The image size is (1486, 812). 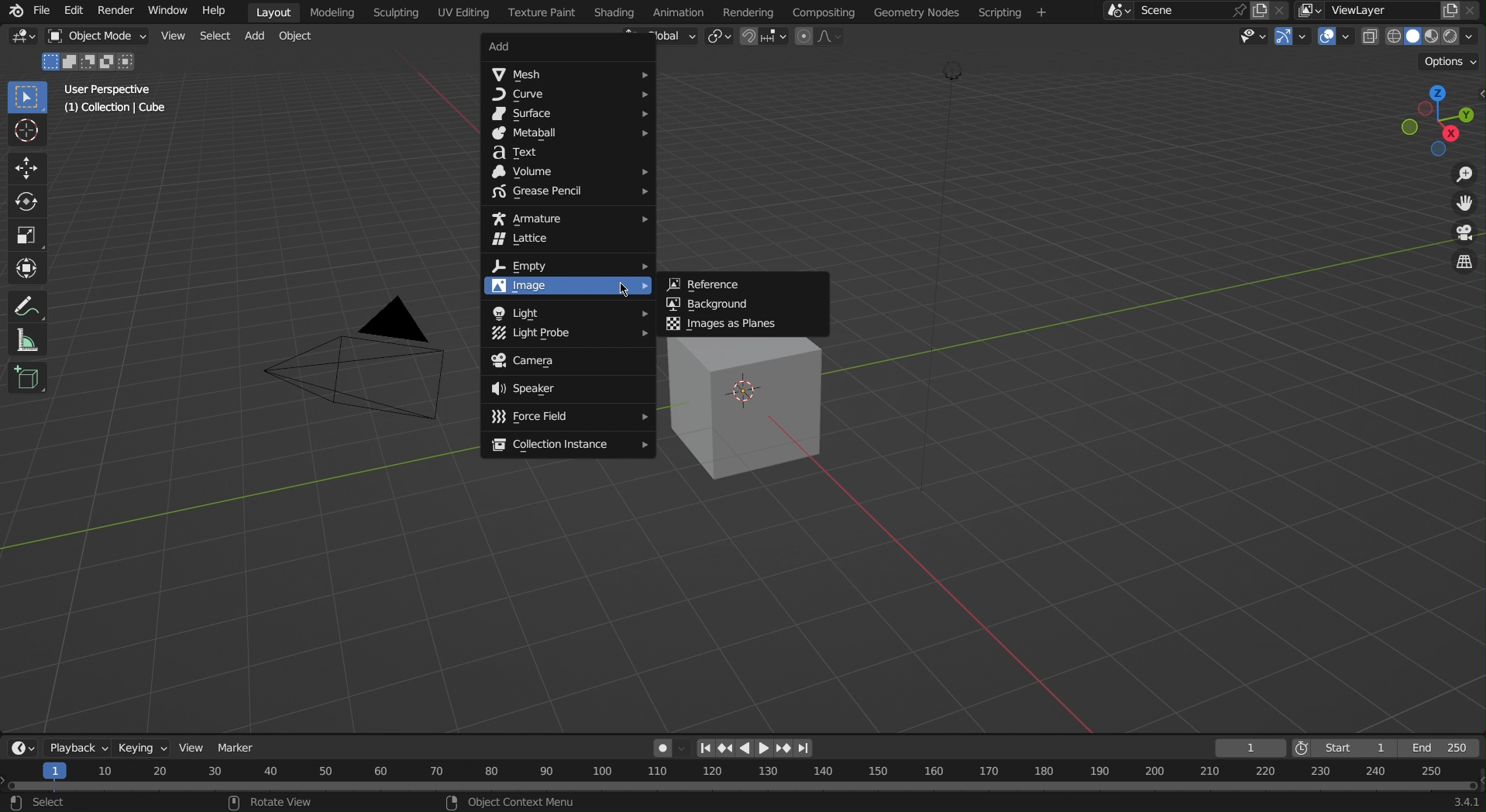 I want to click on Rendering, so click(x=748, y=10).